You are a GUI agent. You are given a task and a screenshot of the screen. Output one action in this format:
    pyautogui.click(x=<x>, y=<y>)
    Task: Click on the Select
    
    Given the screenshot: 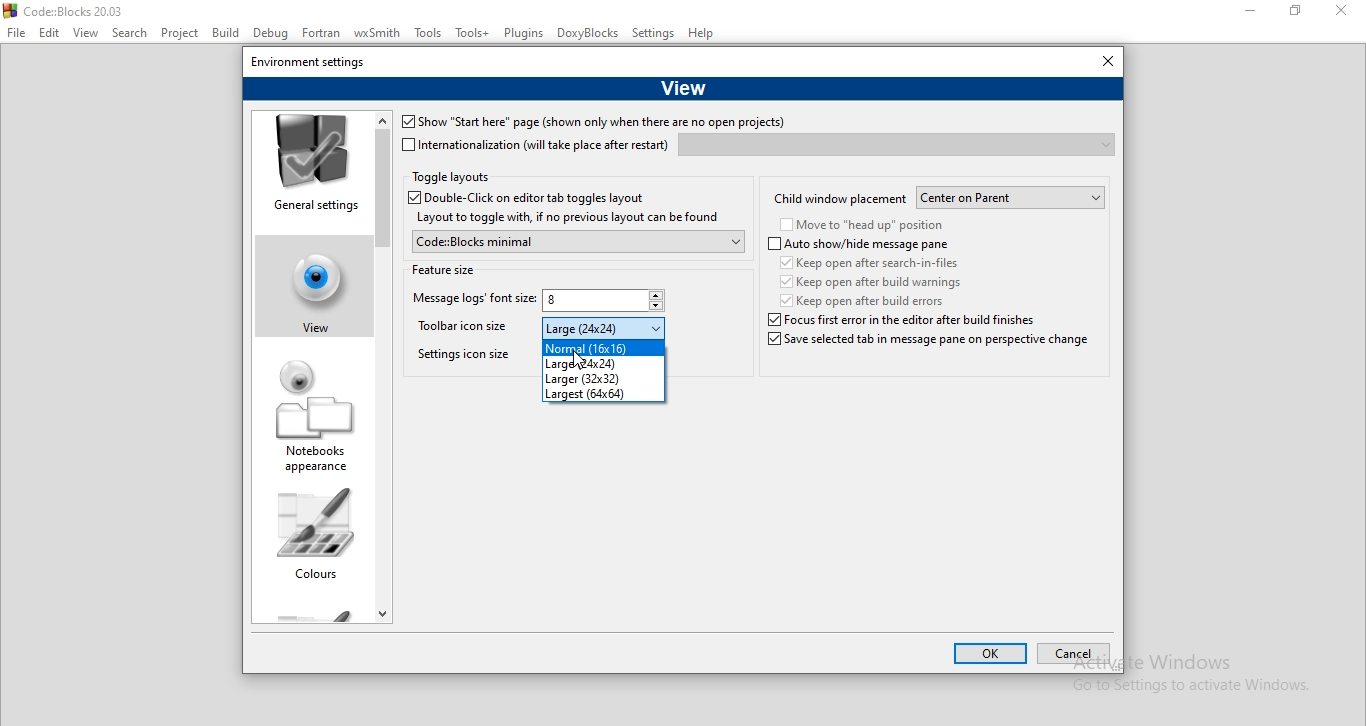 What is the action you would take?
    pyautogui.click(x=132, y=35)
    